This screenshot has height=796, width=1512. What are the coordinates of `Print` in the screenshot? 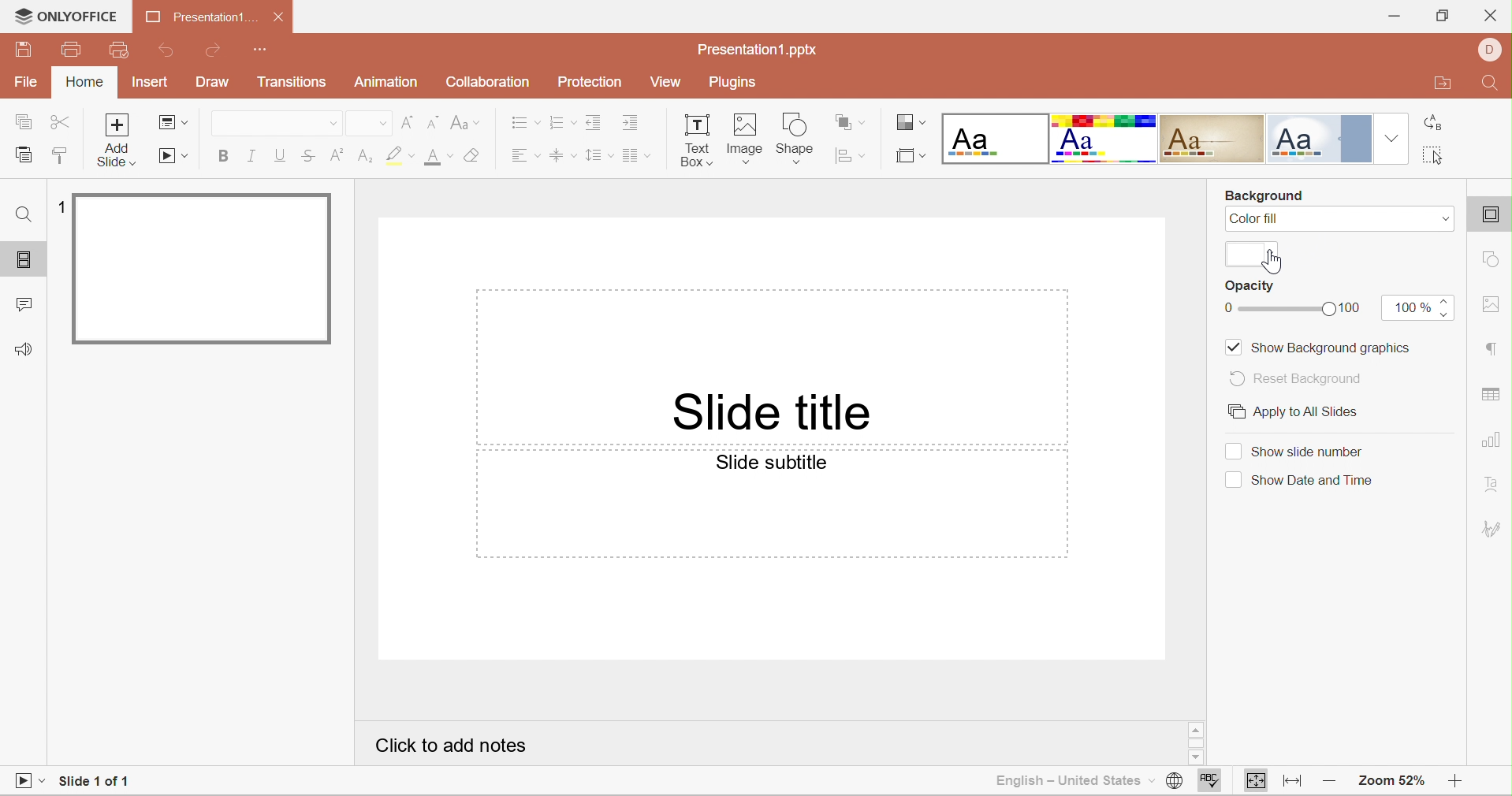 It's located at (69, 50).